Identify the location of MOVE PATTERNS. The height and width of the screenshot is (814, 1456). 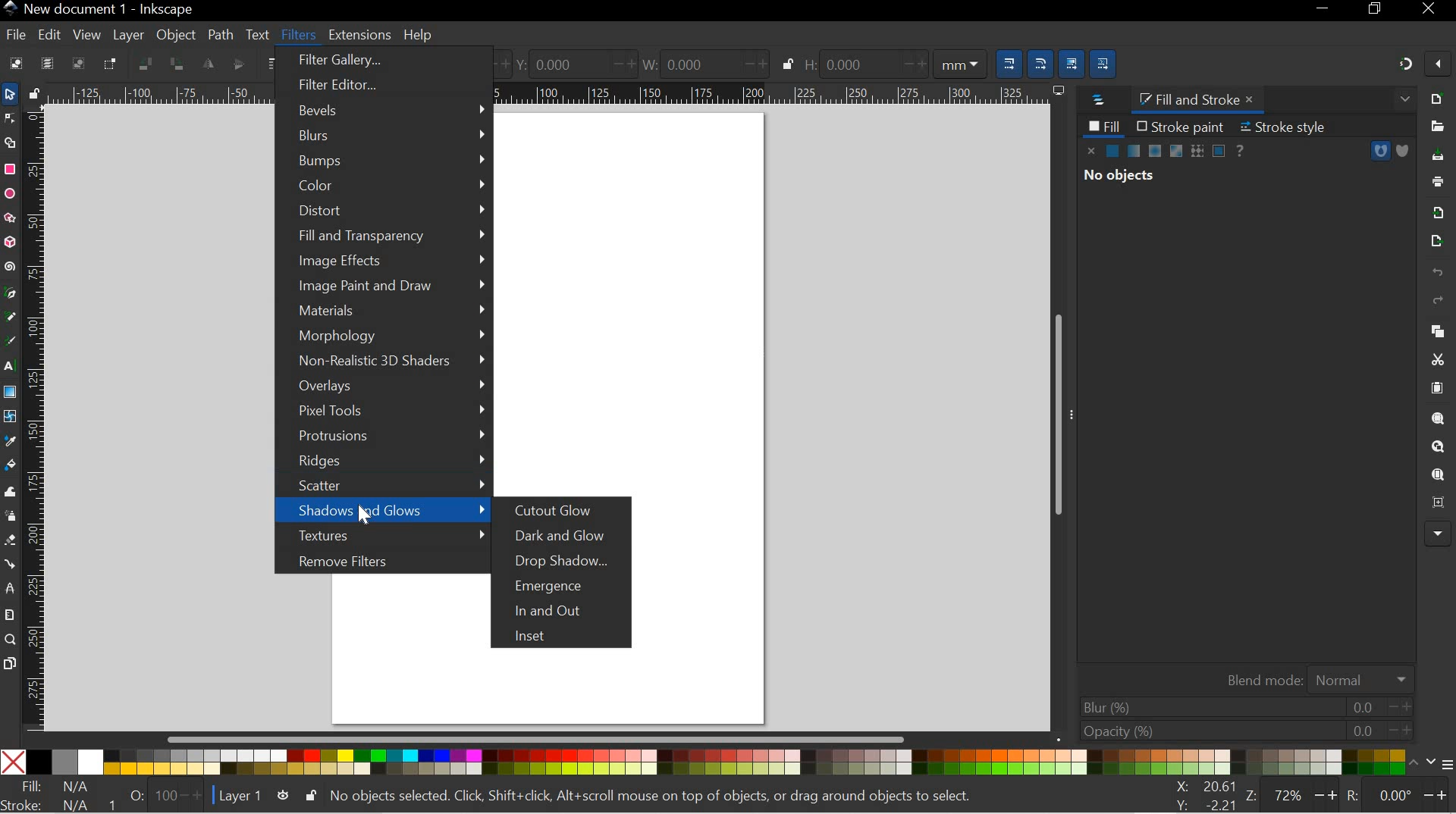
(1106, 61).